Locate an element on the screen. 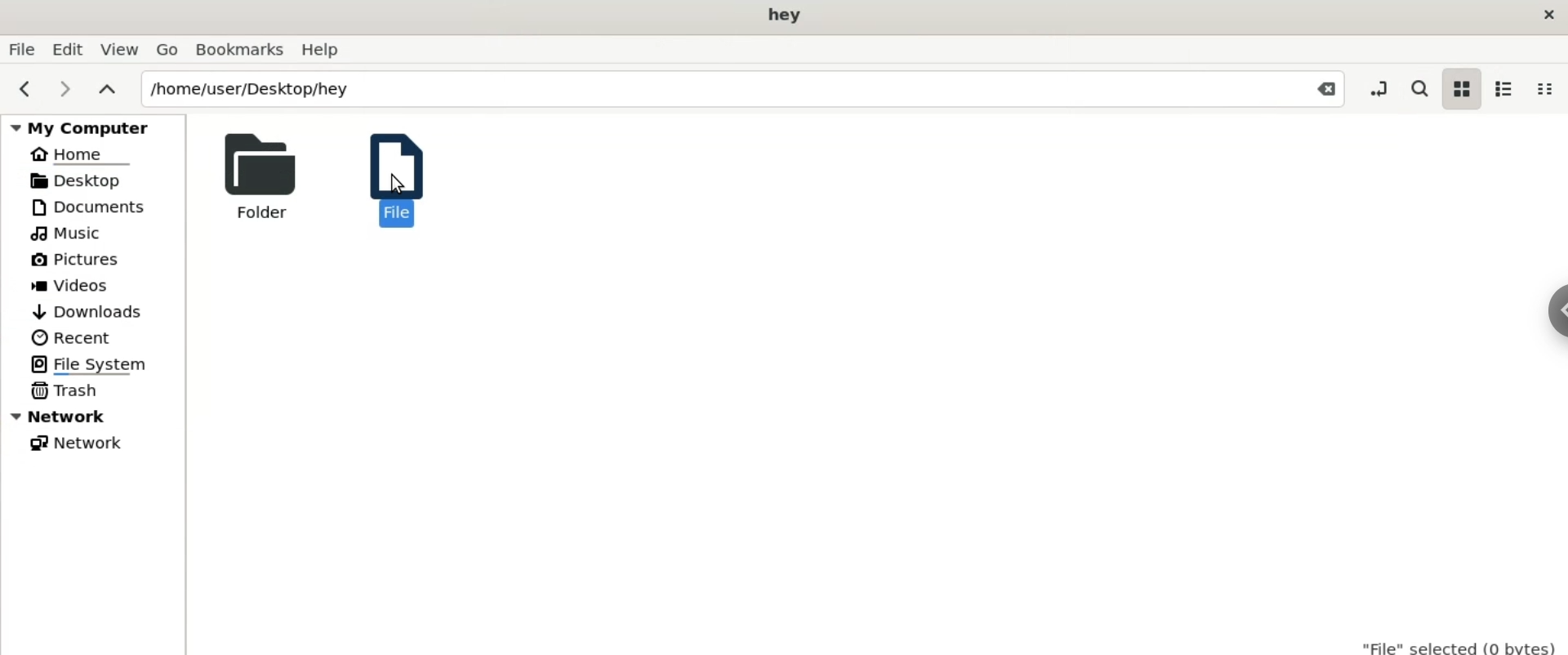 This screenshot has width=1568, height=655. network is located at coordinates (74, 443).